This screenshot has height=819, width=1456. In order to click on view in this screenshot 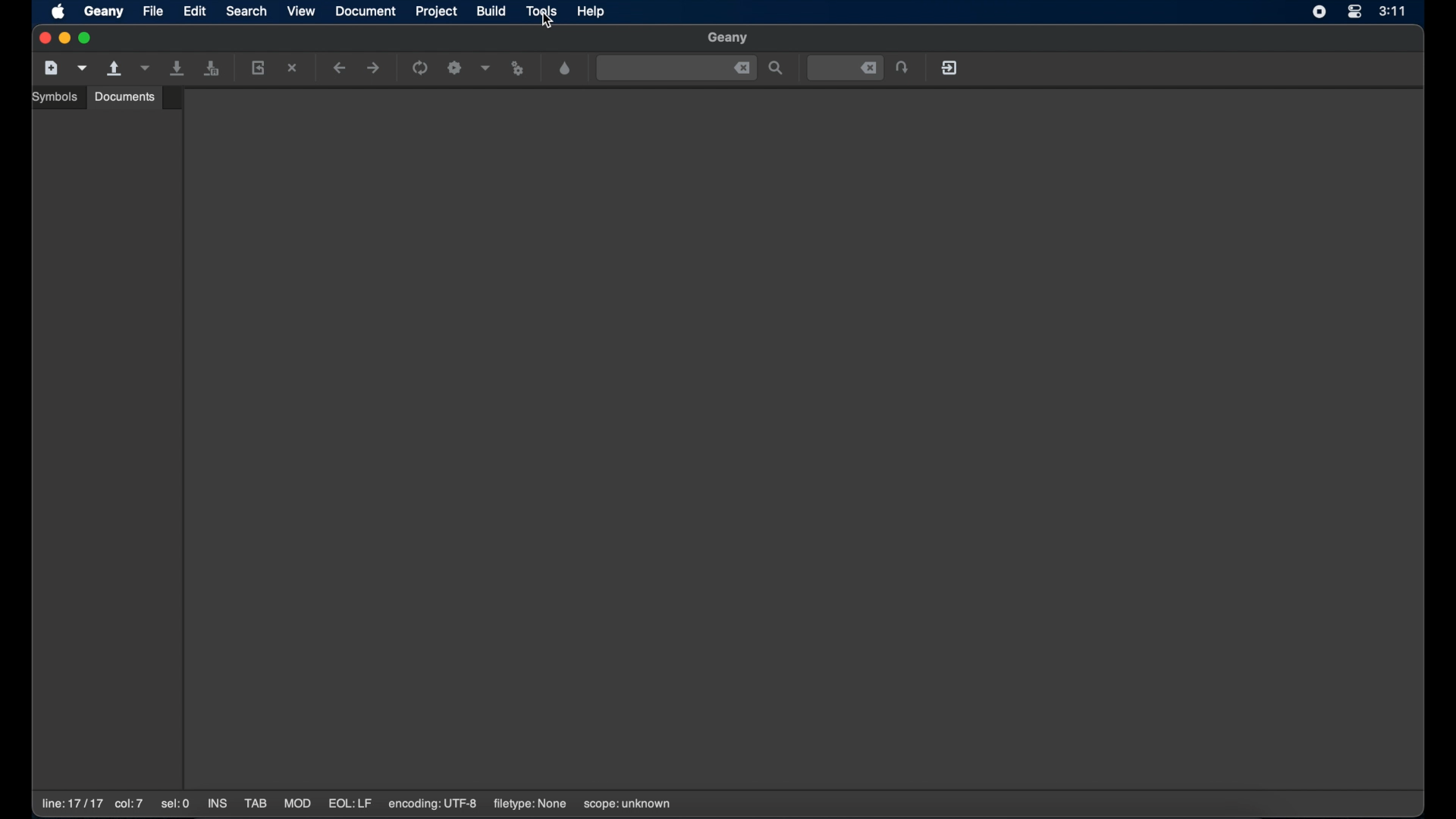, I will do `click(302, 11)`.